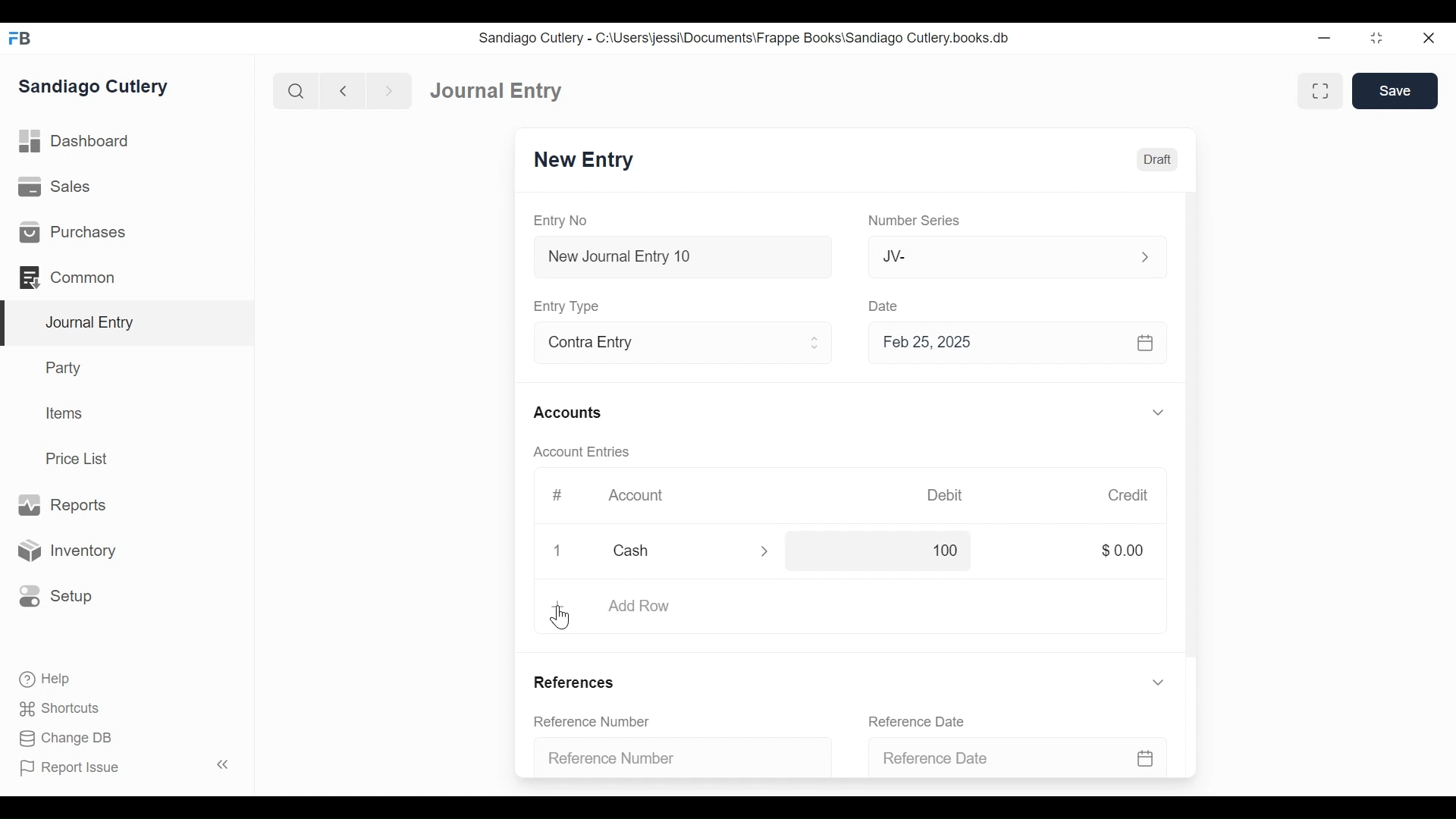 This screenshot has width=1456, height=819. Describe the element at coordinates (558, 551) in the screenshot. I see `Close` at that location.